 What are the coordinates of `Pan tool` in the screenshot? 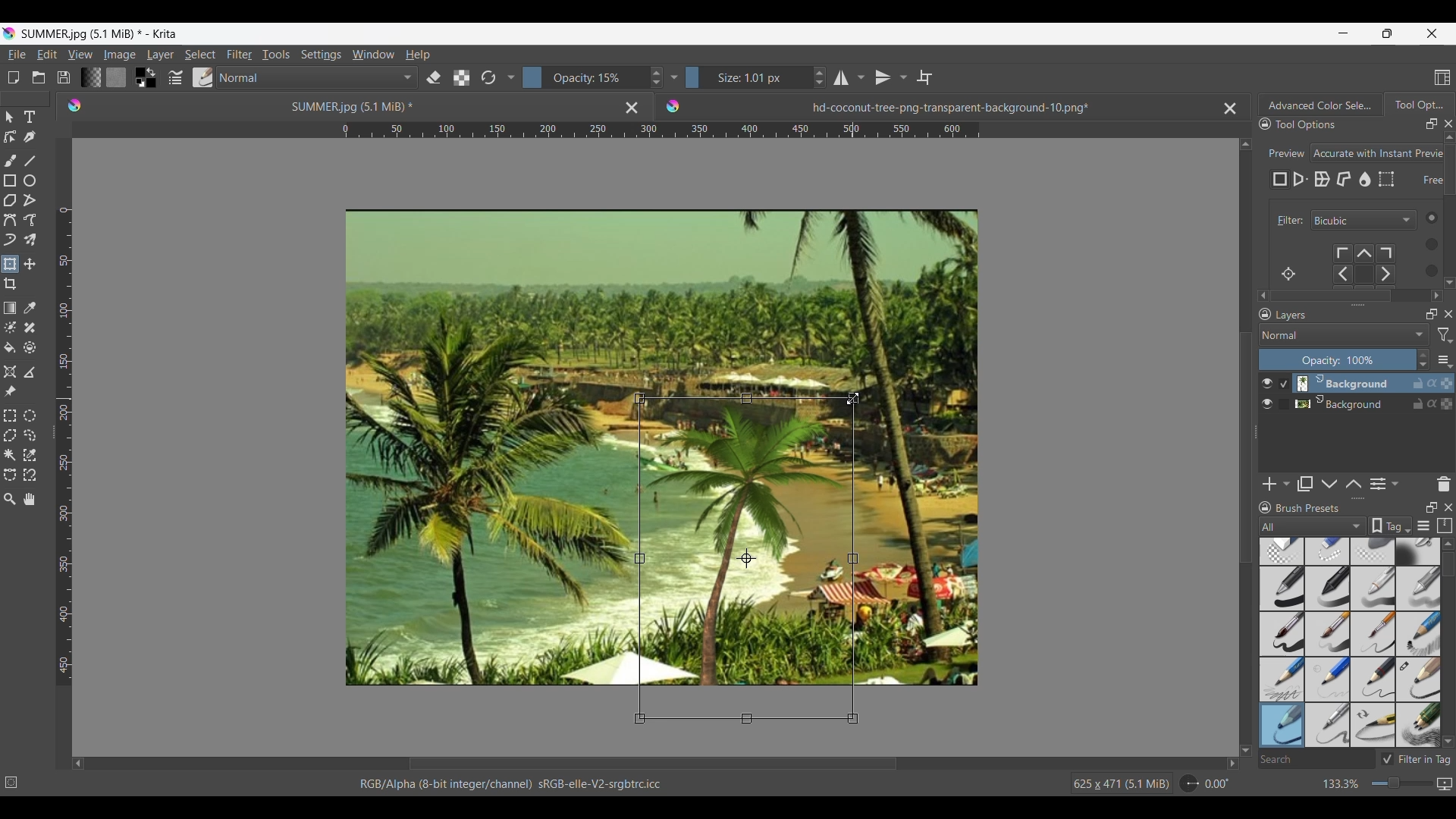 It's located at (30, 499).